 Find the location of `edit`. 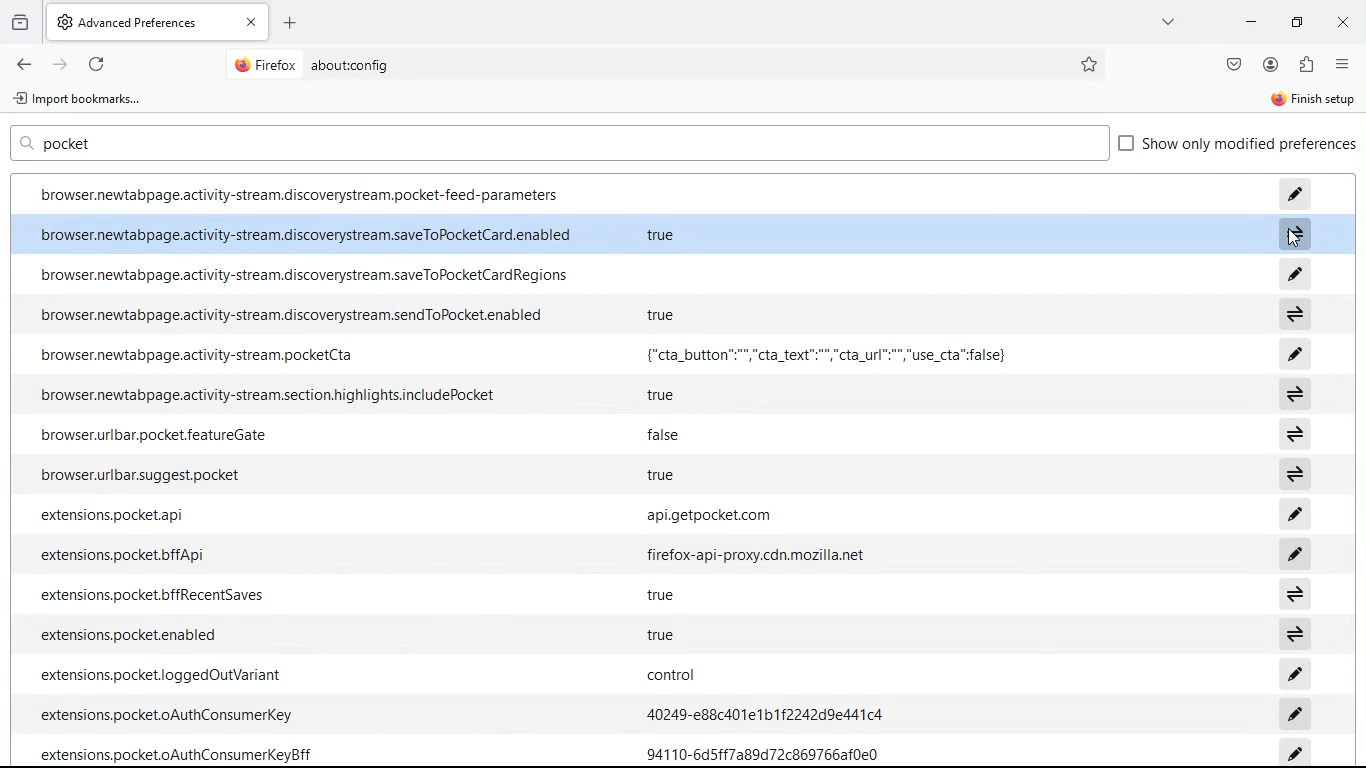

edit is located at coordinates (1296, 713).